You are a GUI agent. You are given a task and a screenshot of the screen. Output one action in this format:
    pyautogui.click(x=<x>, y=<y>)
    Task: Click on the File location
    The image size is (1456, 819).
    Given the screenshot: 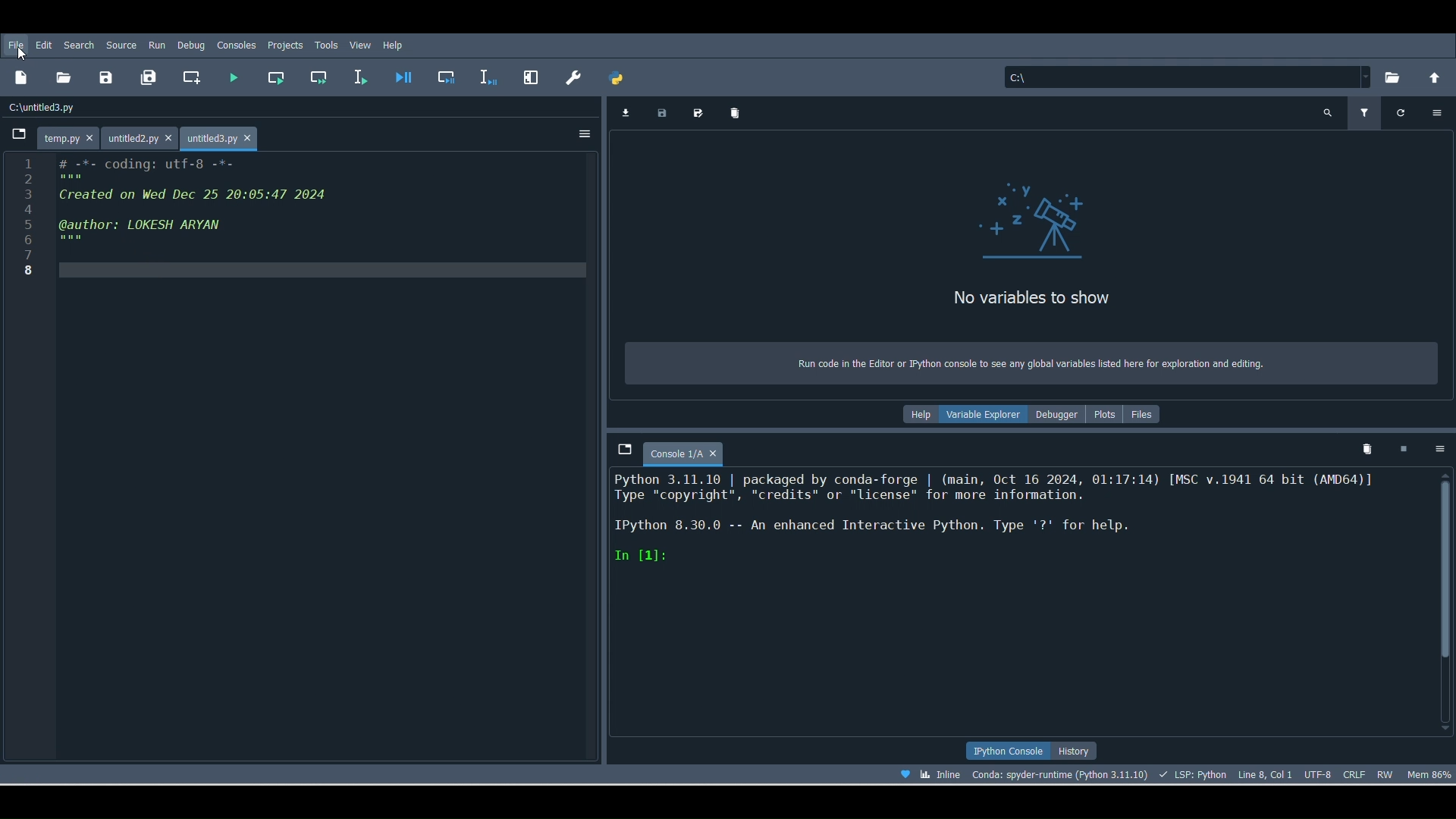 What is the action you would take?
    pyautogui.click(x=1181, y=76)
    